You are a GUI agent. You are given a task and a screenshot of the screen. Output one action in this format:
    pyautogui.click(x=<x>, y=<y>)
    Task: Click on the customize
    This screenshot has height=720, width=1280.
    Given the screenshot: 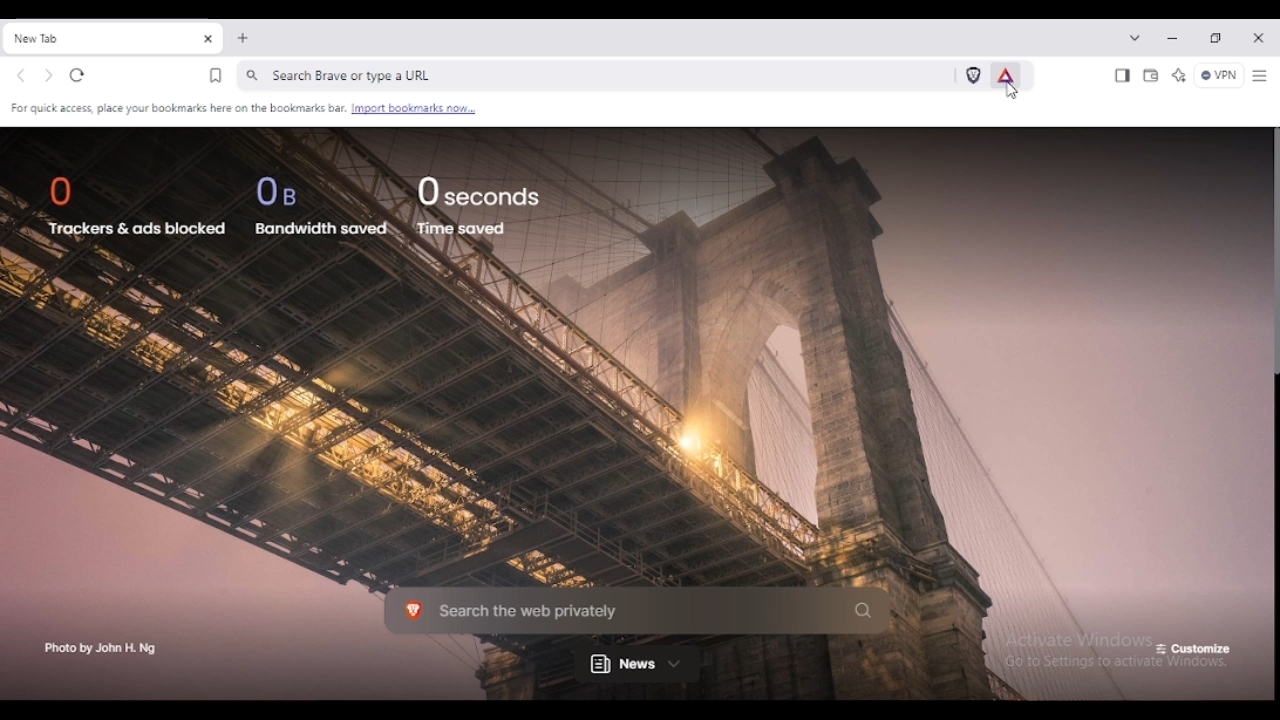 What is the action you would take?
    pyautogui.click(x=1194, y=650)
    